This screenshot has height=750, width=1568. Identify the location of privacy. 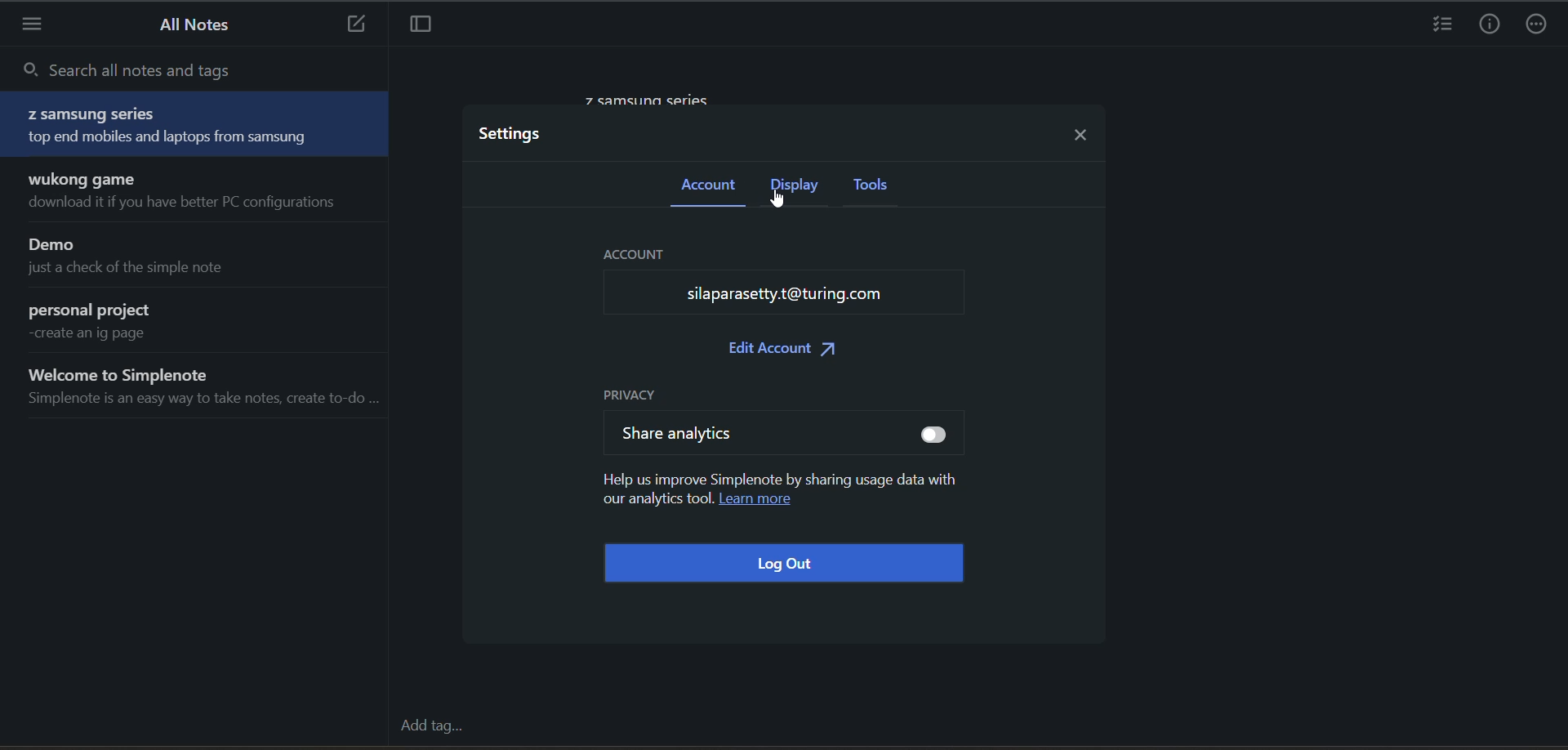
(637, 395).